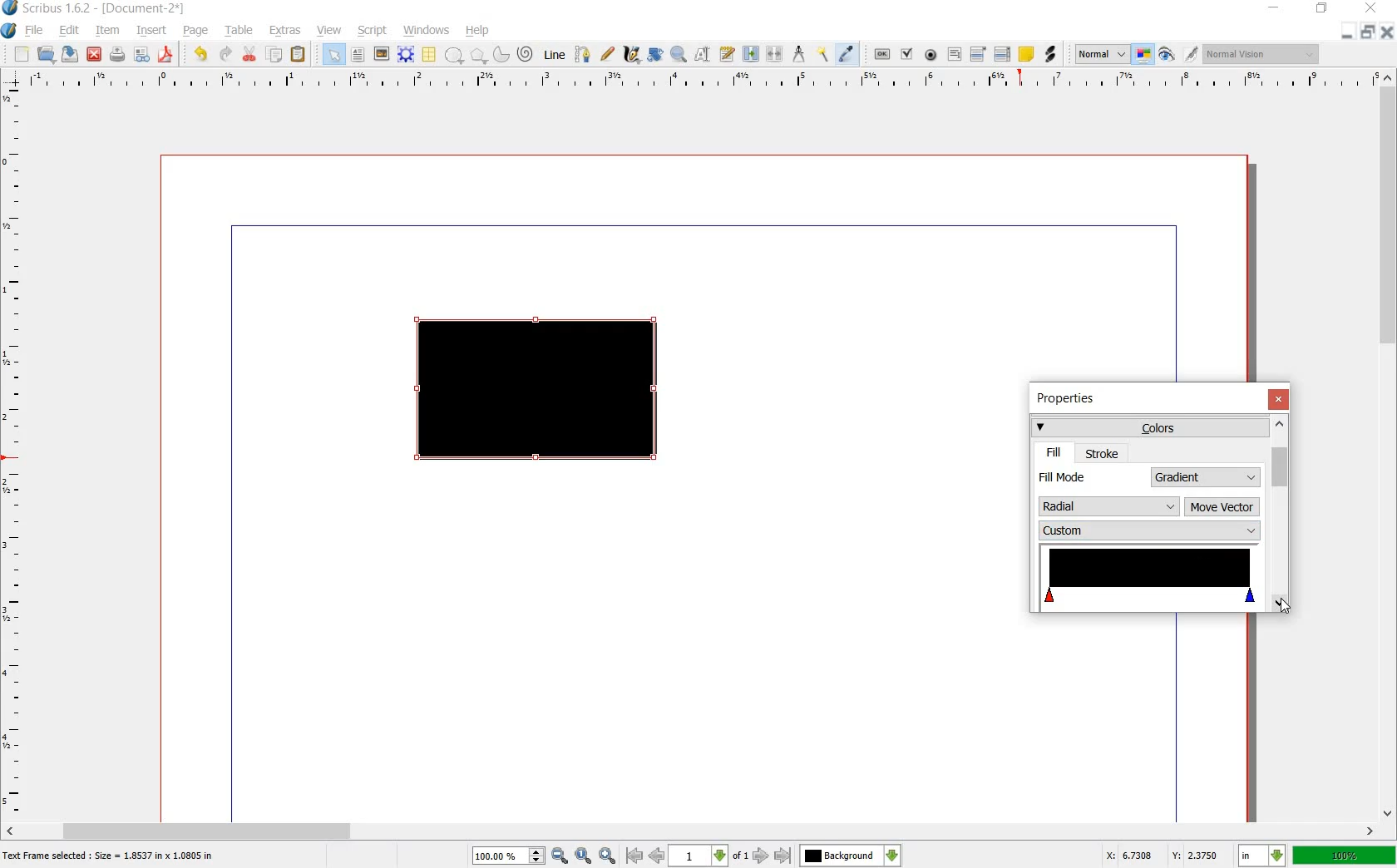 The width and height of the screenshot is (1397, 868). What do you see at coordinates (556, 56) in the screenshot?
I see `line` at bounding box center [556, 56].